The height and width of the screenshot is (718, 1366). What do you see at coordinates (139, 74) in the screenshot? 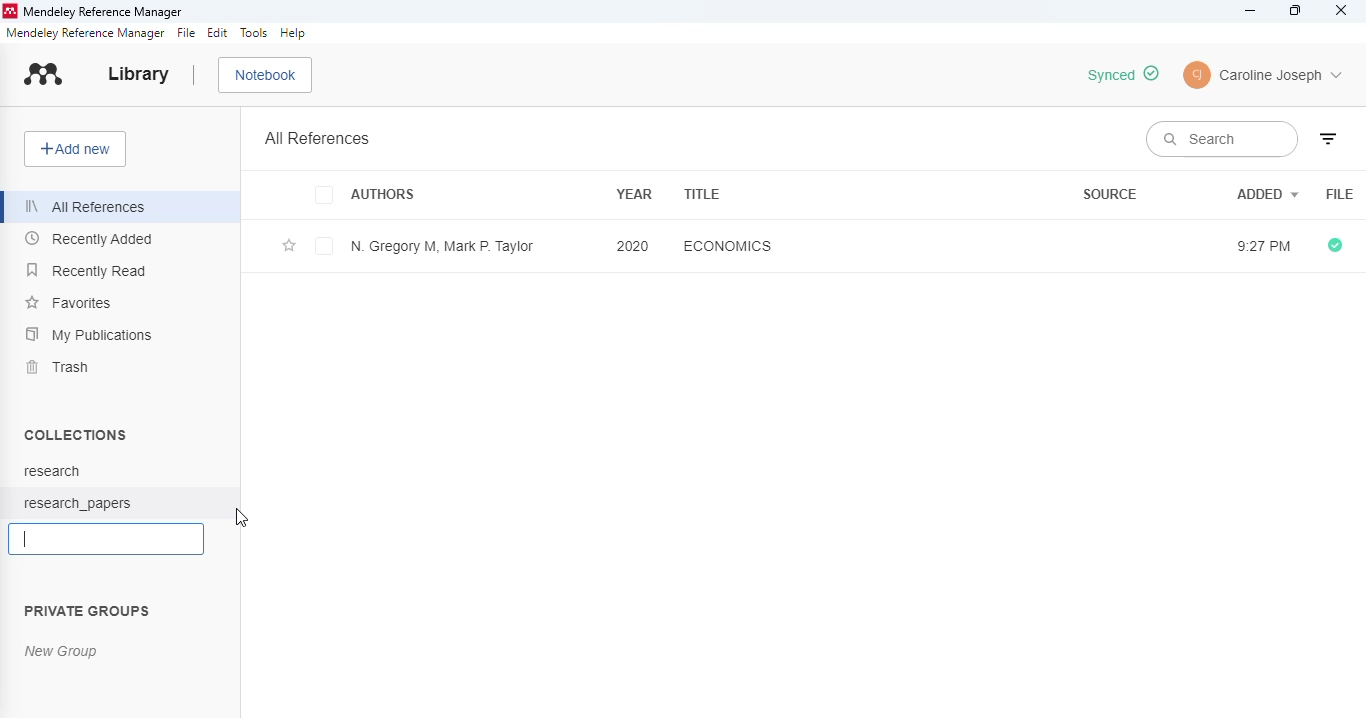
I see `library` at bounding box center [139, 74].